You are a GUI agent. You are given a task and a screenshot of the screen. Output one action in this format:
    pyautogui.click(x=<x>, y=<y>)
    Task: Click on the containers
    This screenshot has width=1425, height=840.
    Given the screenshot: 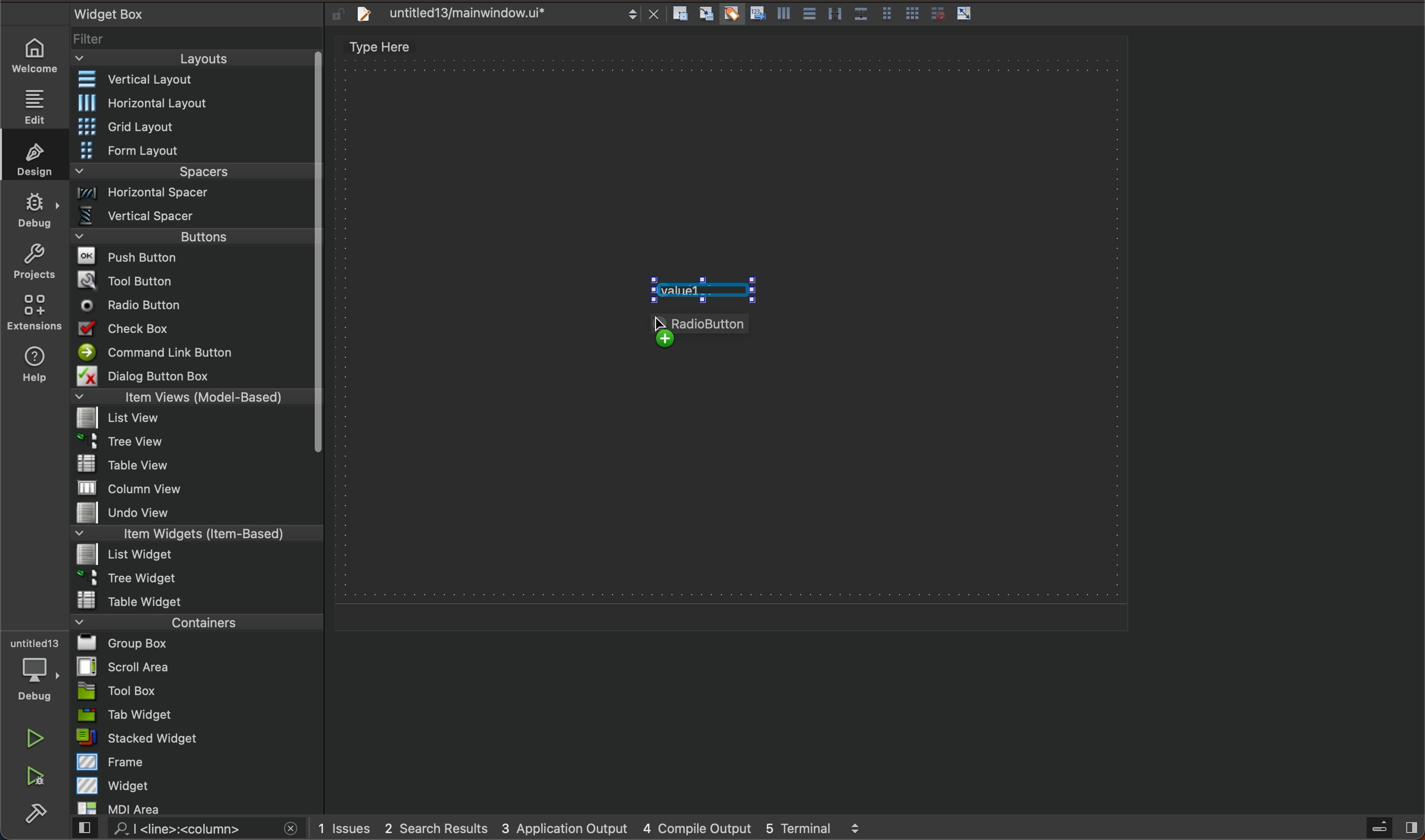 What is the action you would take?
    pyautogui.click(x=193, y=622)
    